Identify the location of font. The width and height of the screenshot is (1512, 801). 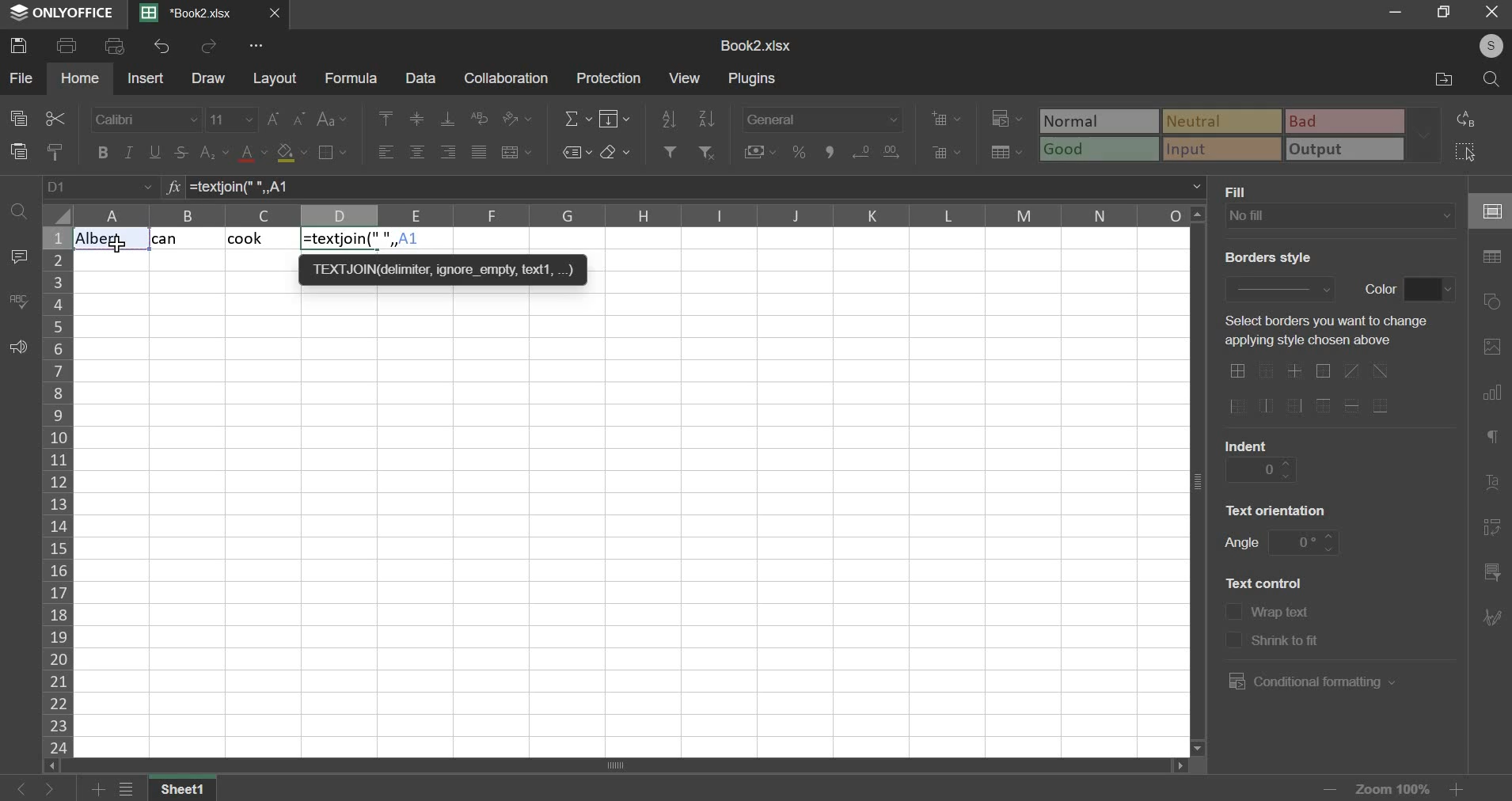
(145, 120).